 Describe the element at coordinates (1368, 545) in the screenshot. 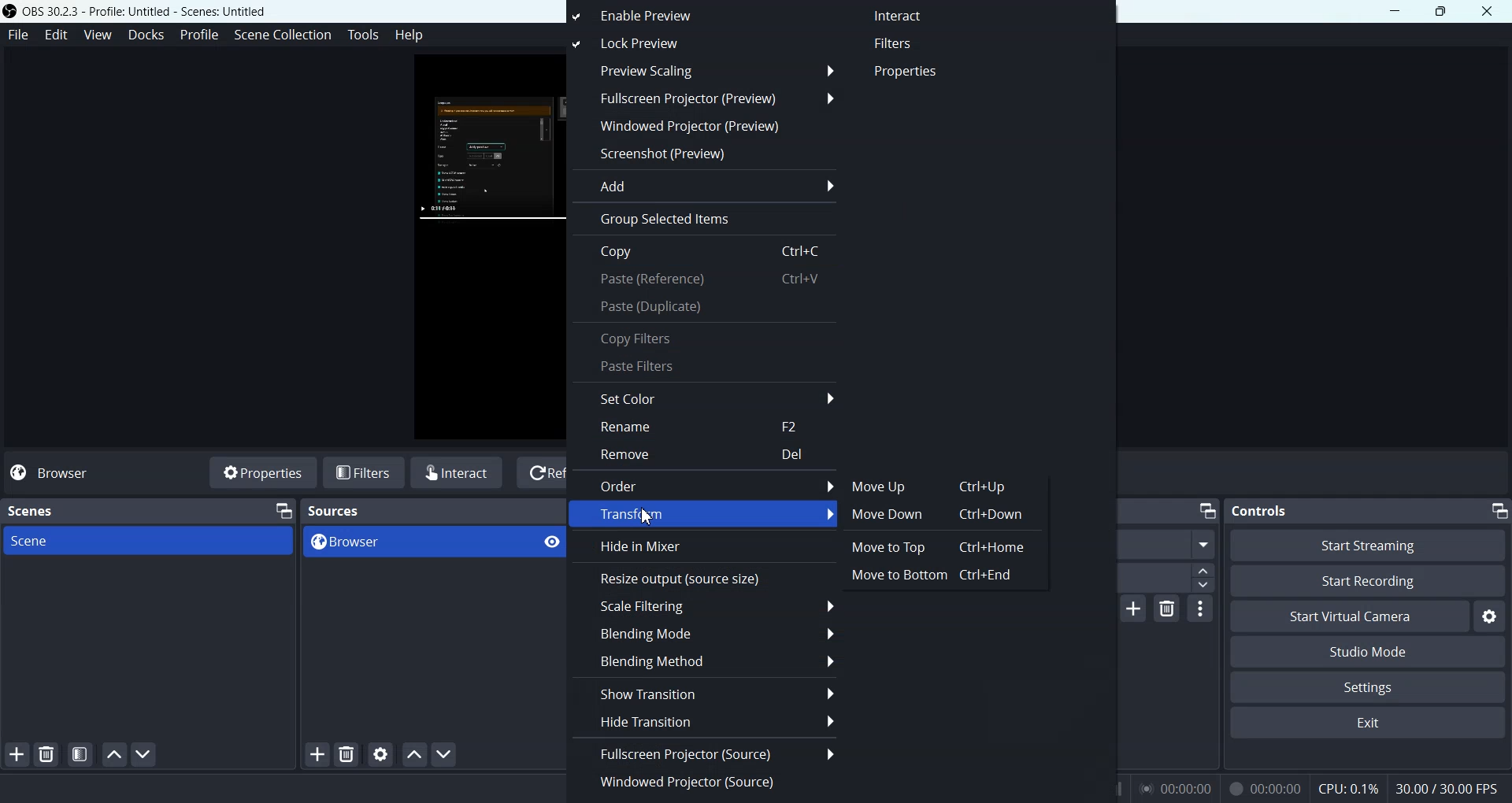

I see `Start Streaming` at that location.